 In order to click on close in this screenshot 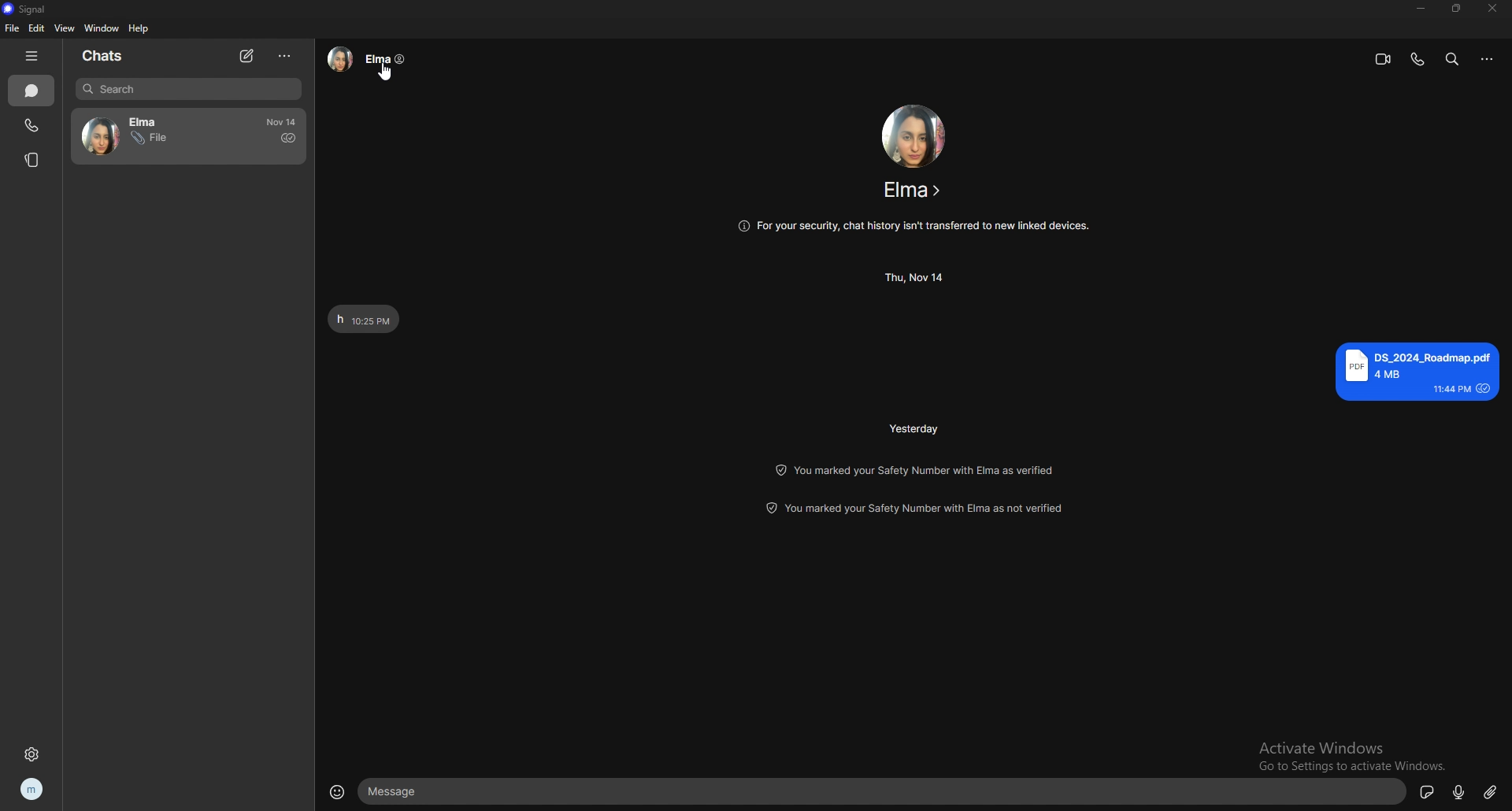, I will do `click(1492, 9)`.